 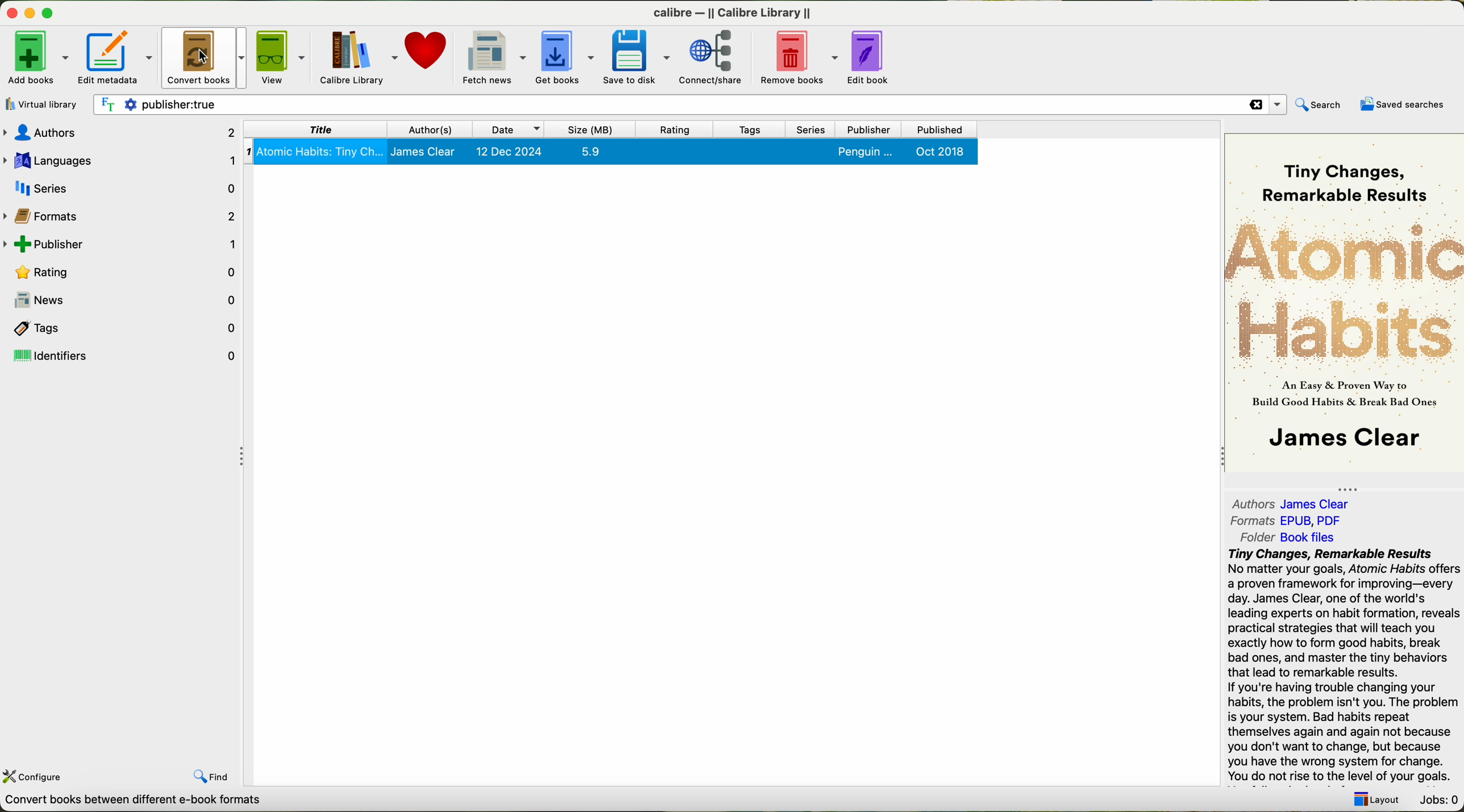 What do you see at coordinates (731, 10) in the screenshot?
I see `calibre` at bounding box center [731, 10].